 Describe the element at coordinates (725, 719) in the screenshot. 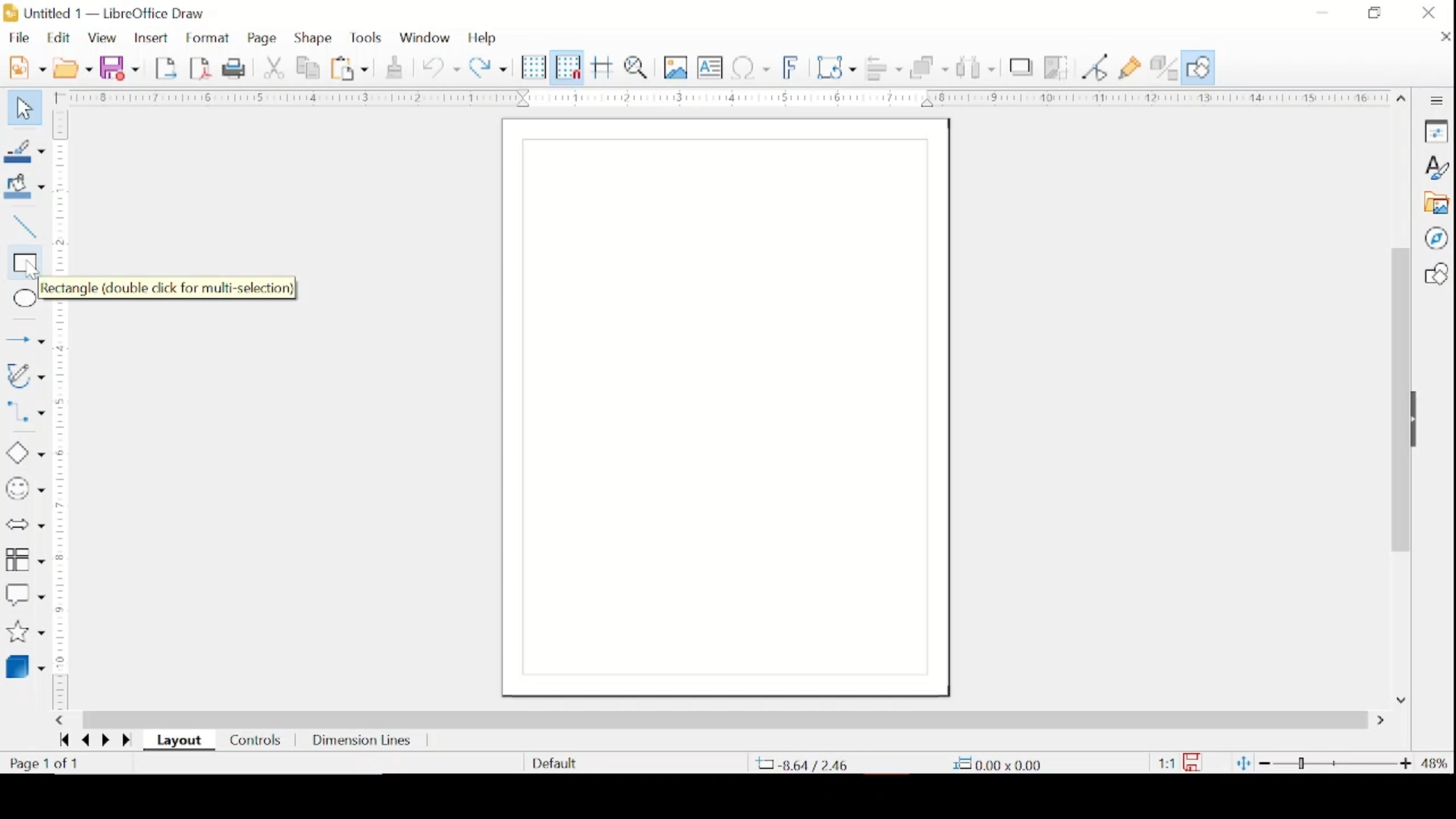

I see `scroll box` at that location.